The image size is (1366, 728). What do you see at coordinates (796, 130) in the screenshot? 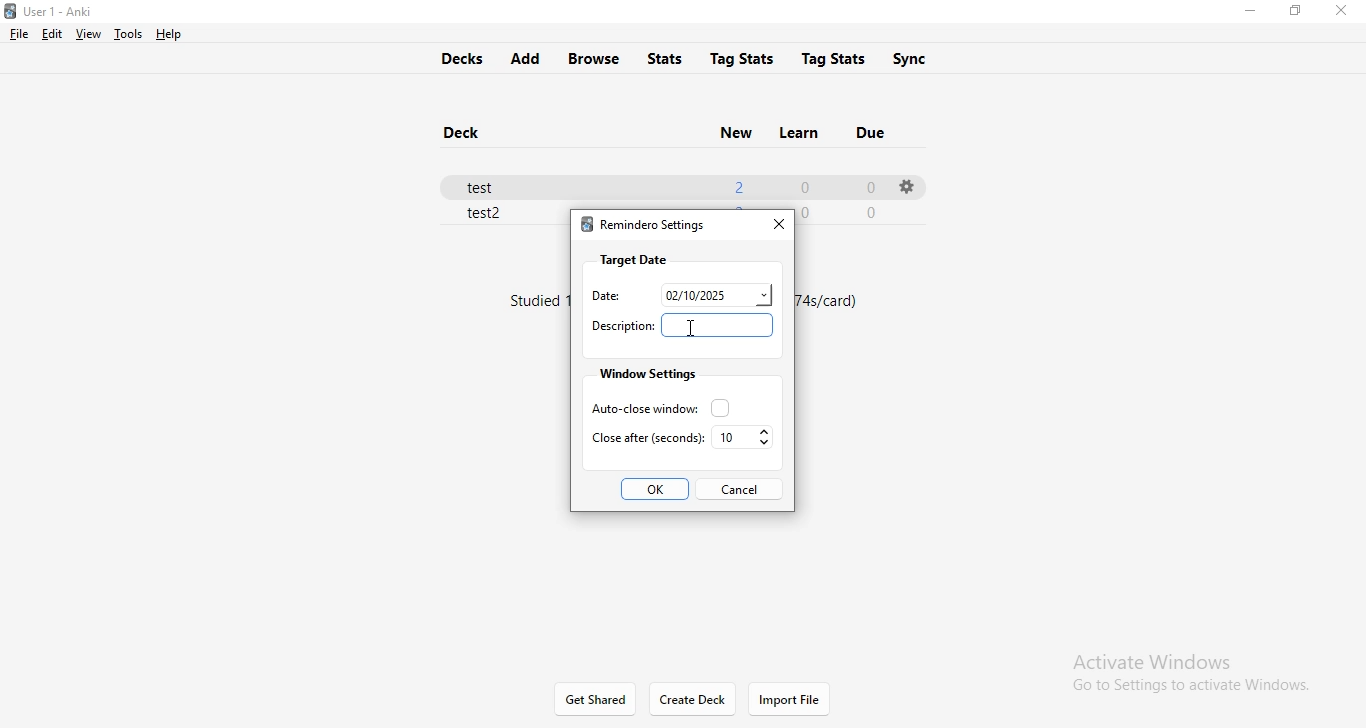
I see `learn` at bounding box center [796, 130].